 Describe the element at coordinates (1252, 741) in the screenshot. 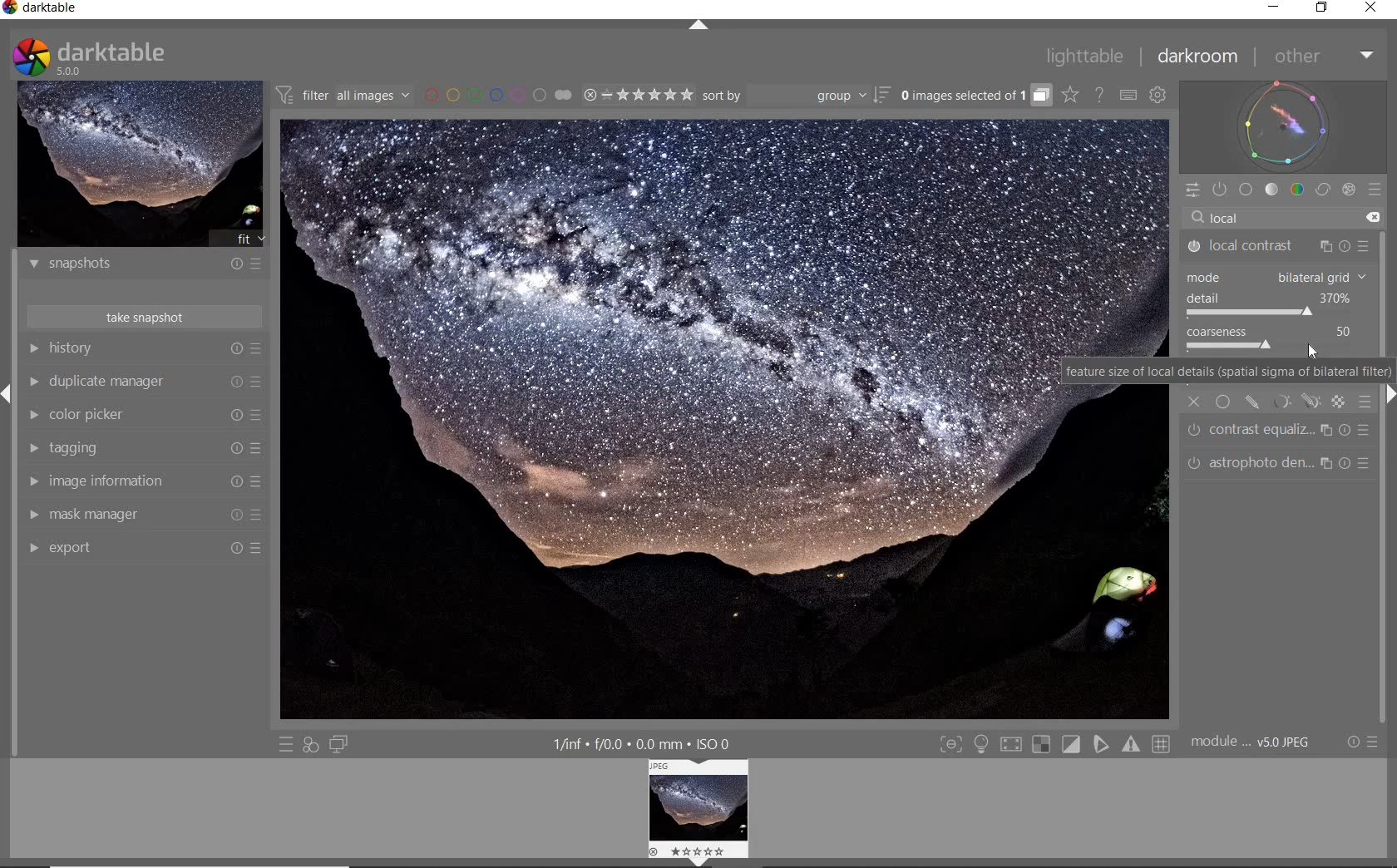

I see `Image info` at that location.